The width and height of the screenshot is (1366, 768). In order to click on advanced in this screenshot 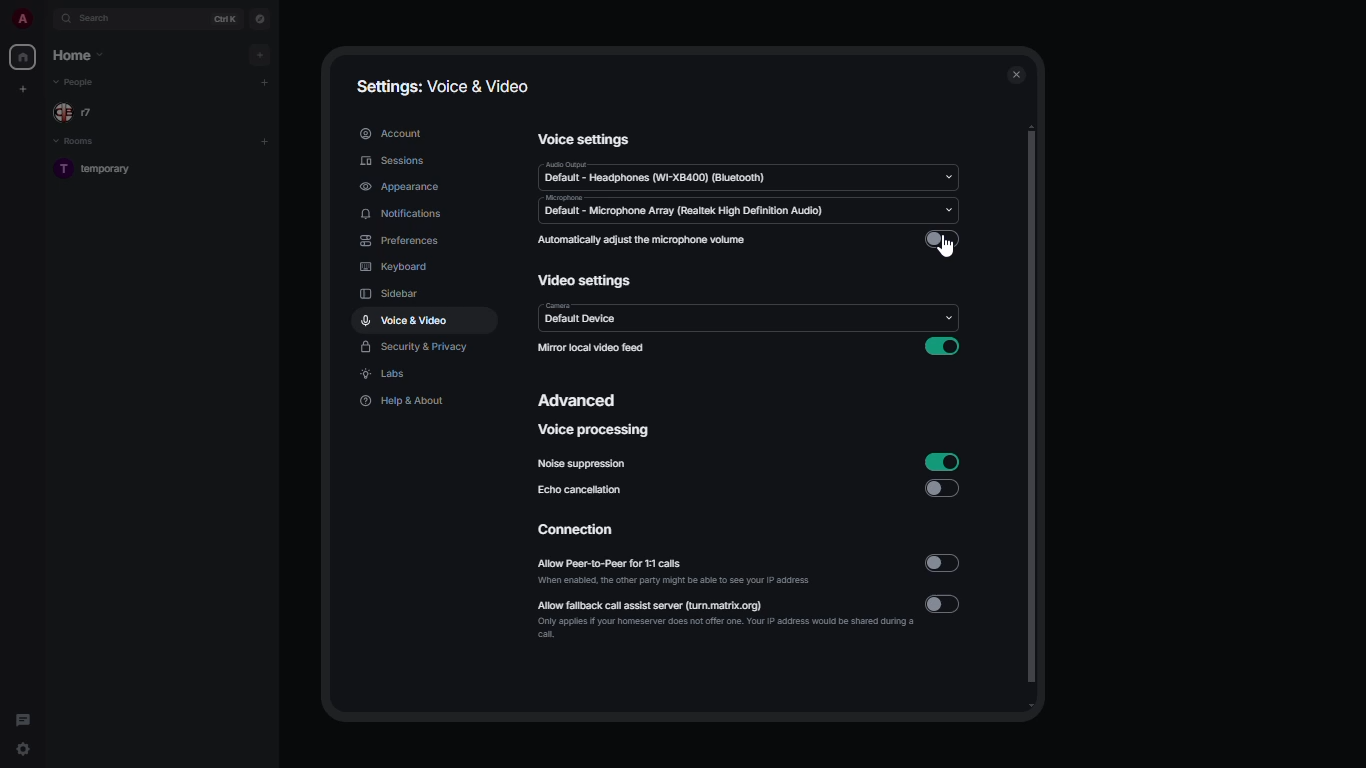, I will do `click(579, 402)`.